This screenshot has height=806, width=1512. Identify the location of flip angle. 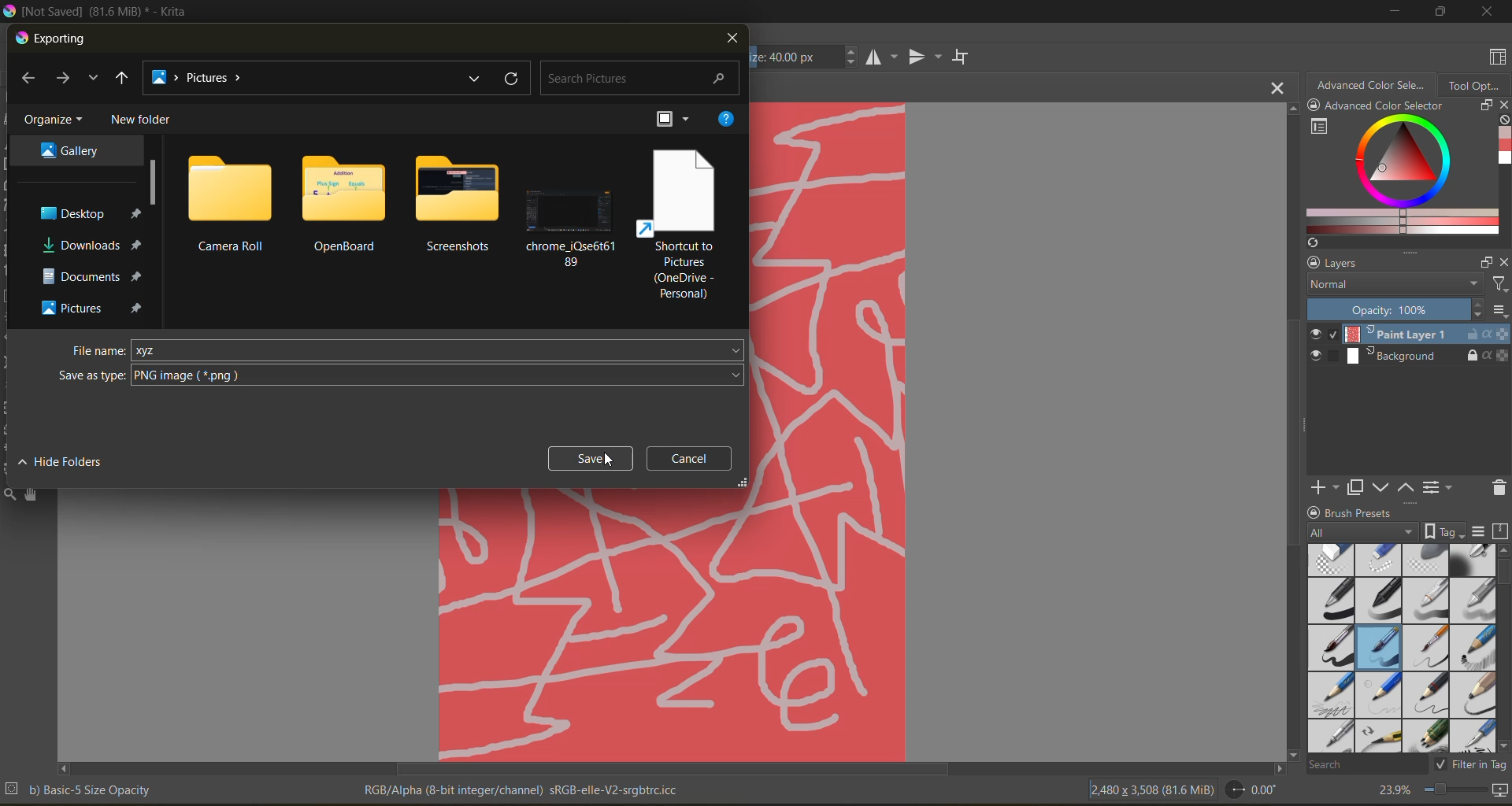
(1251, 789).